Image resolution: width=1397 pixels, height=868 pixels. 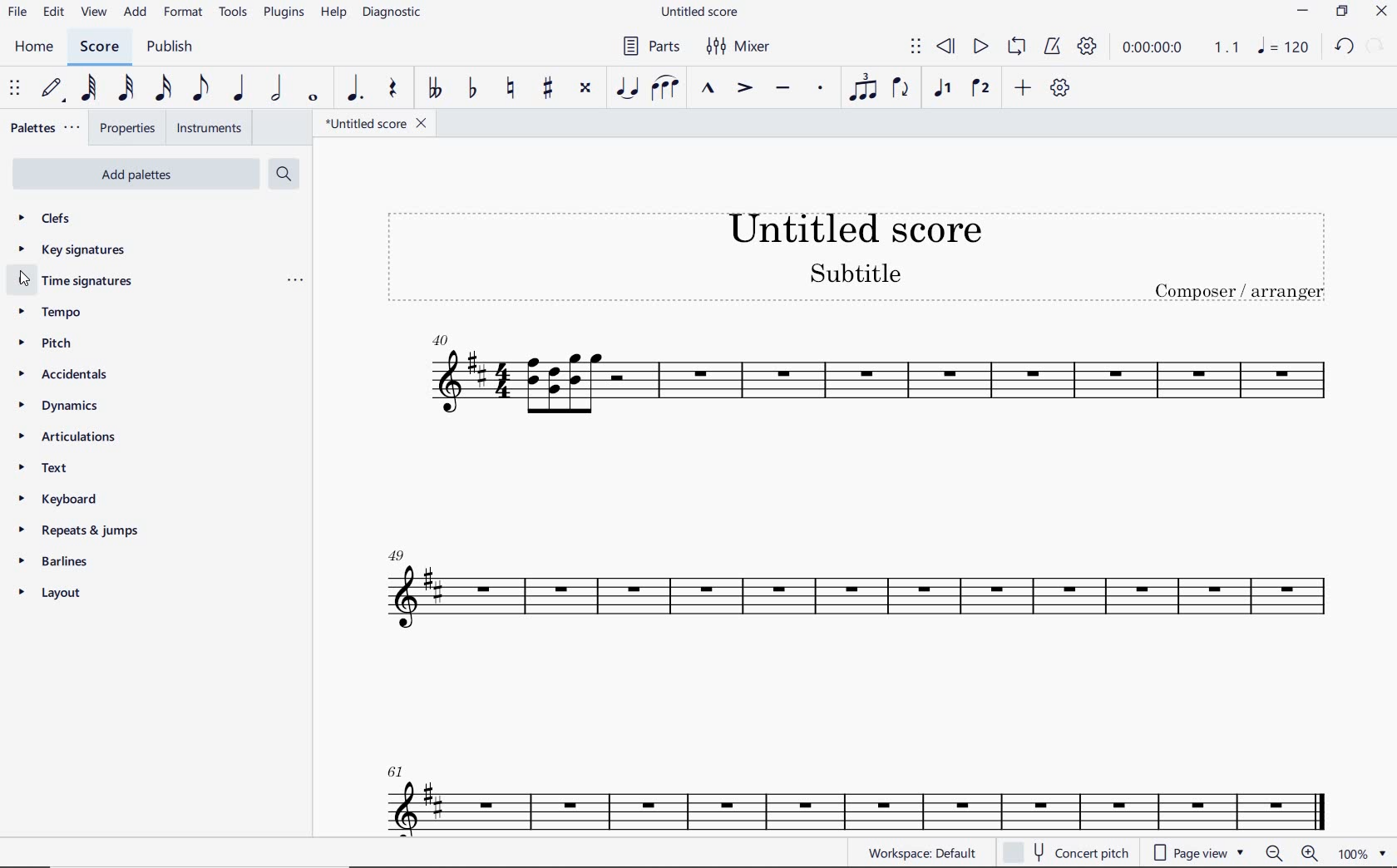 What do you see at coordinates (74, 532) in the screenshot?
I see `REPEATS & JUMPS` at bounding box center [74, 532].